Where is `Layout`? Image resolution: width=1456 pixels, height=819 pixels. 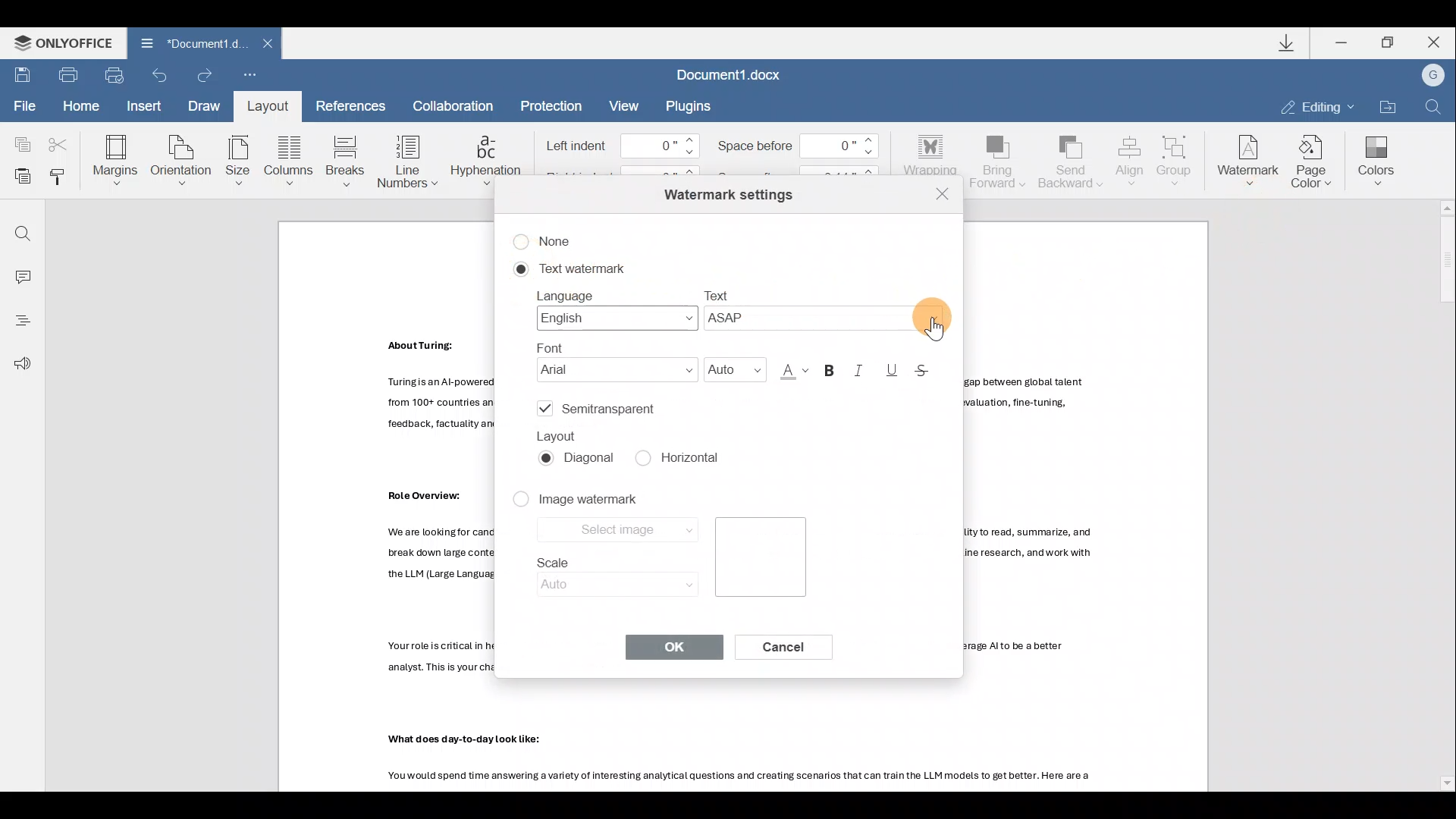
Layout is located at coordinates (272, 107).